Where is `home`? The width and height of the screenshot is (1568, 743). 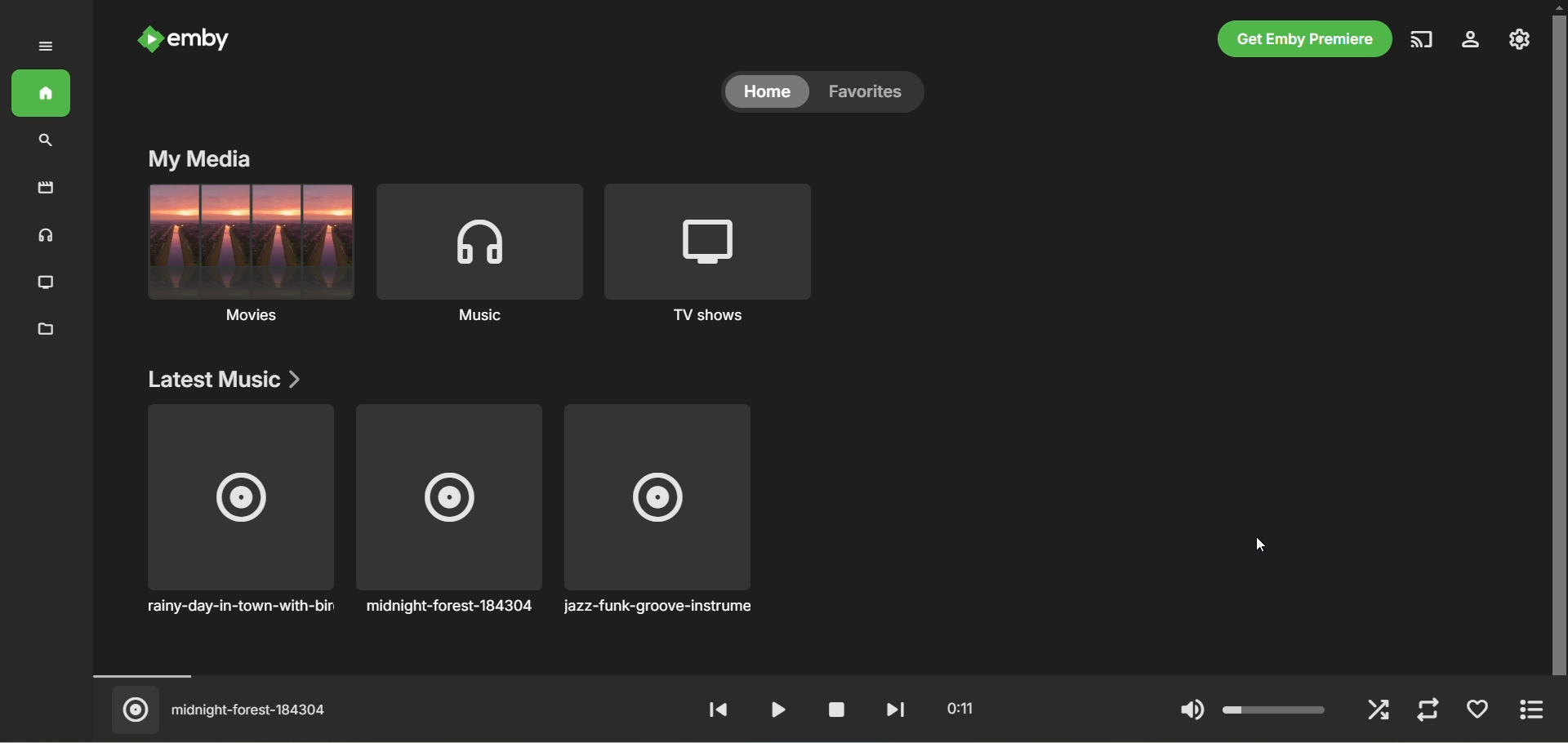 home is located at coordinates (764, 95).